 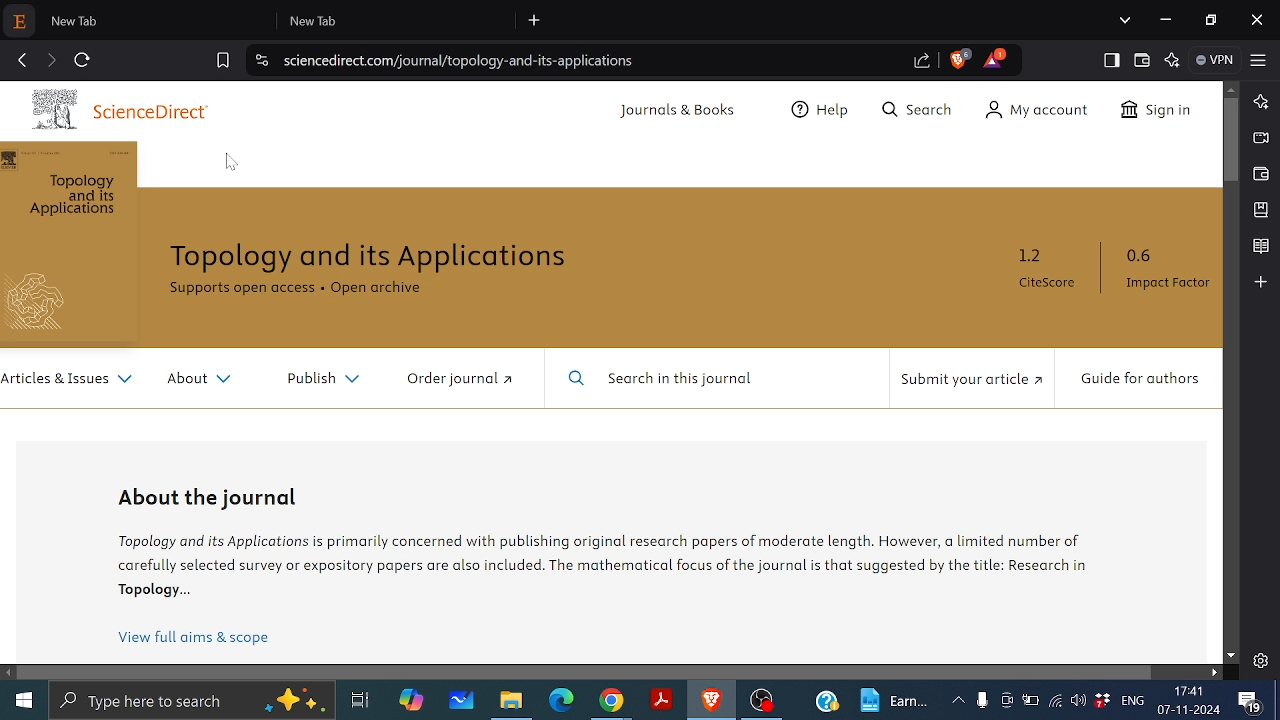 I want to click on VPN, so click(x=1214, y=60).